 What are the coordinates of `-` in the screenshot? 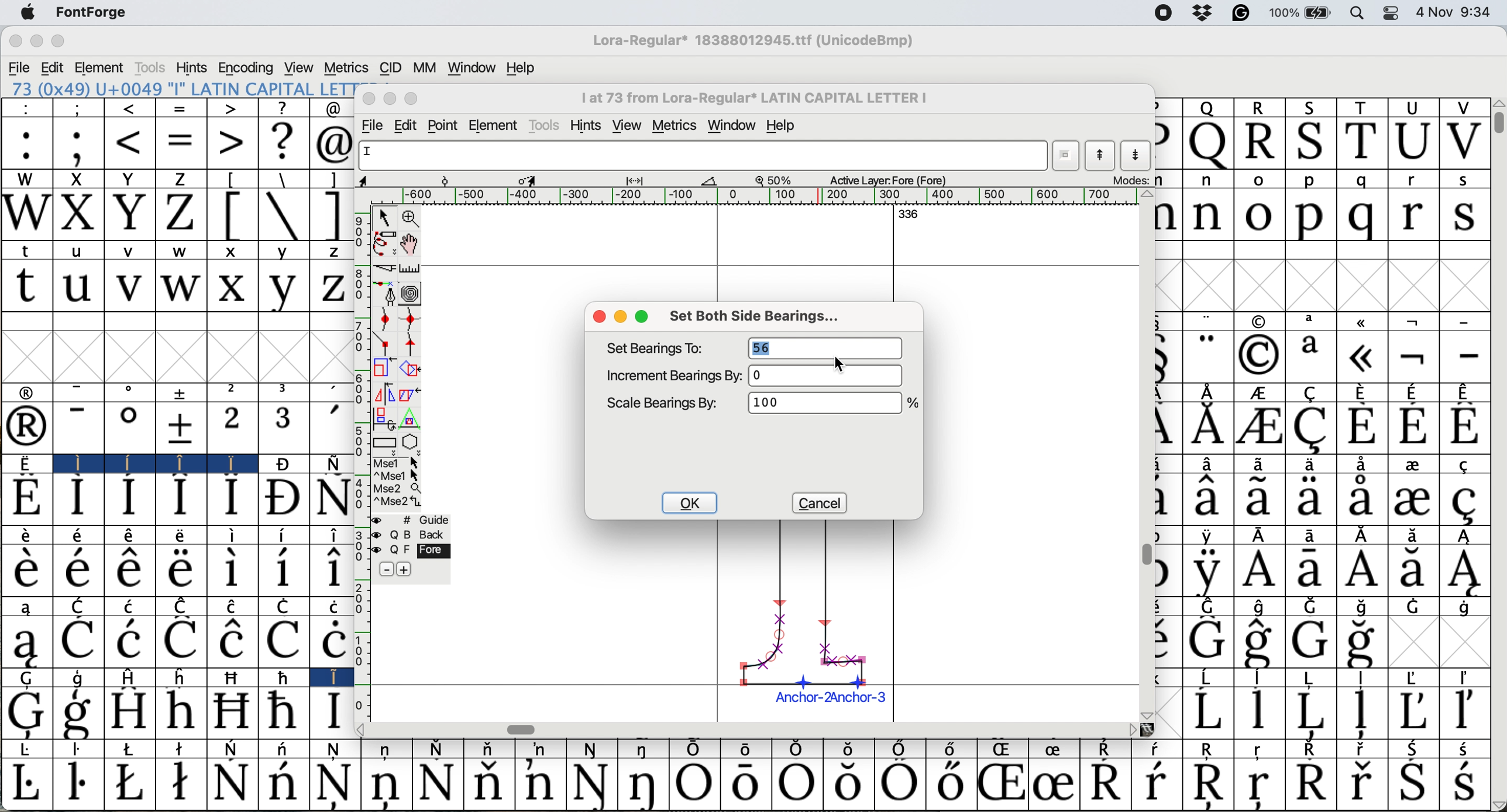 It's located at (1467, 318).